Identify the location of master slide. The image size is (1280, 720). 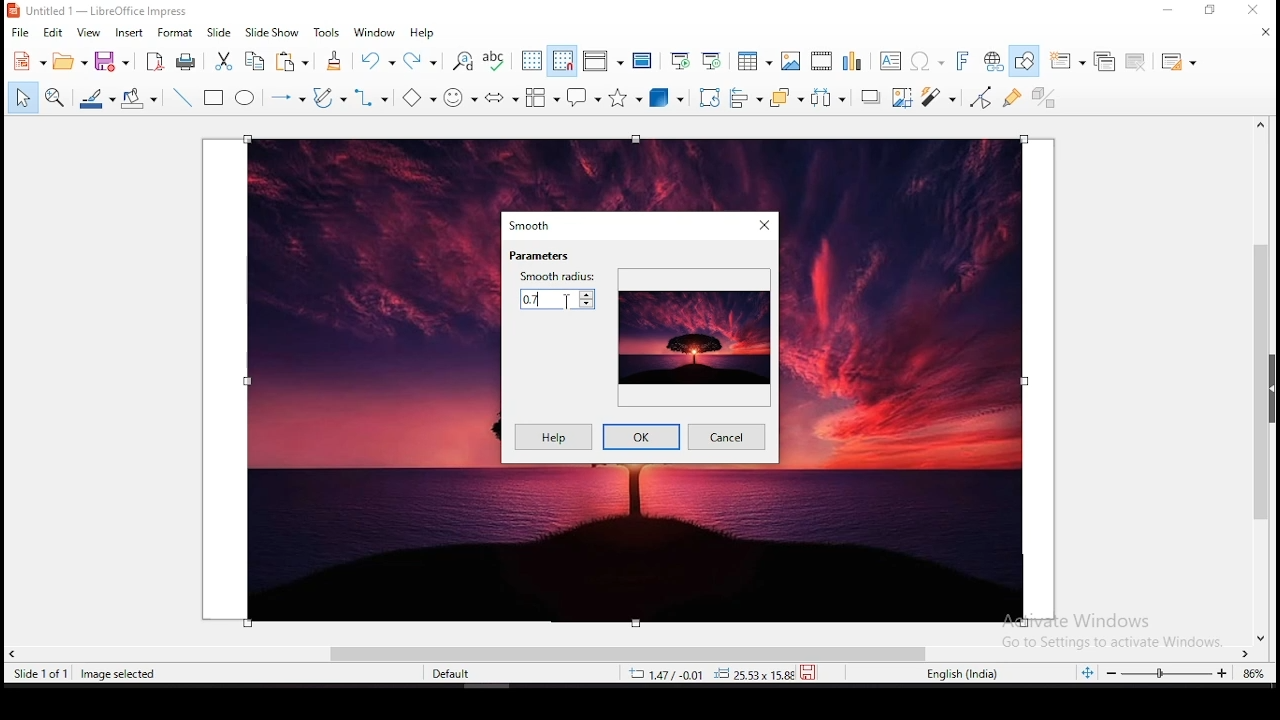
(641, 60).